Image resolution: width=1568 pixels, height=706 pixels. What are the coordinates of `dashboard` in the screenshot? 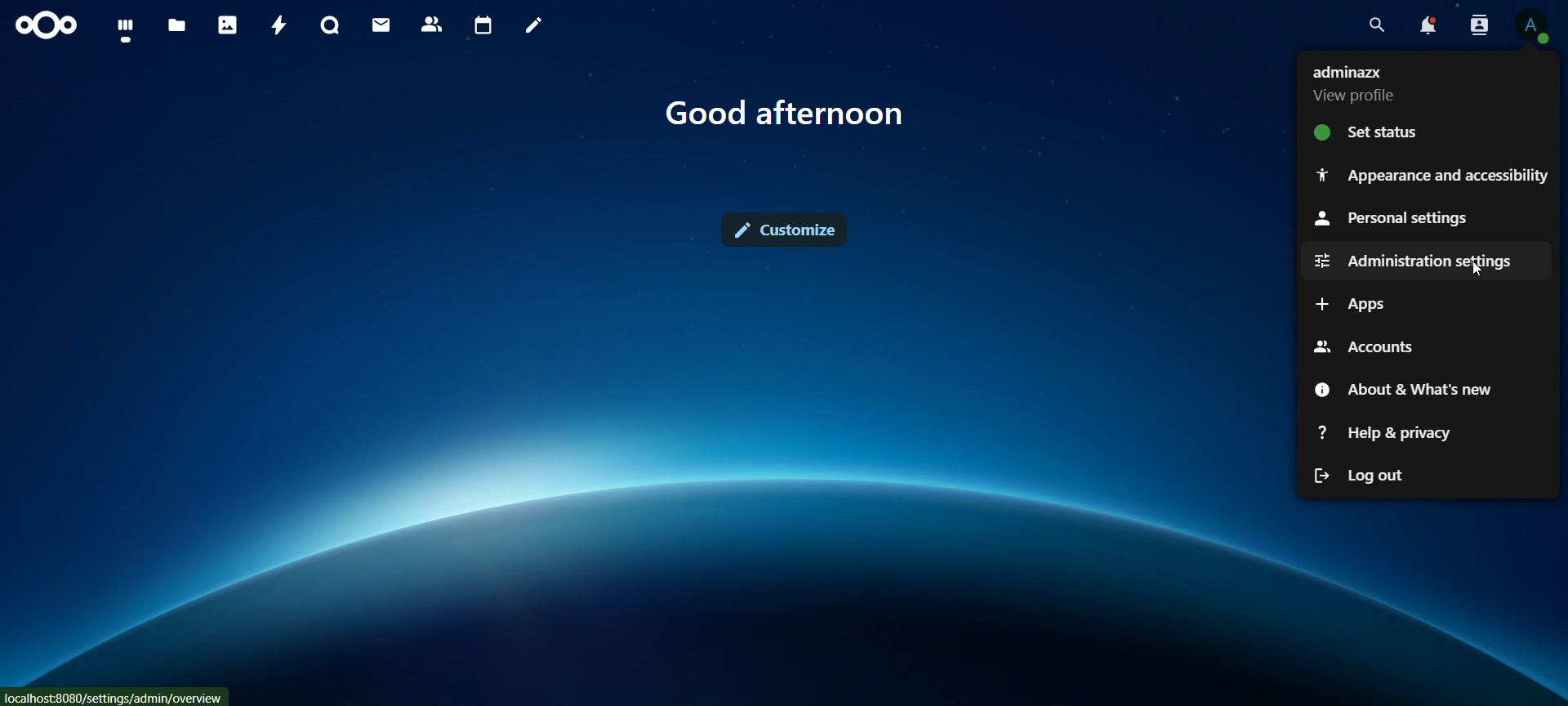 It's located at (126, 29).